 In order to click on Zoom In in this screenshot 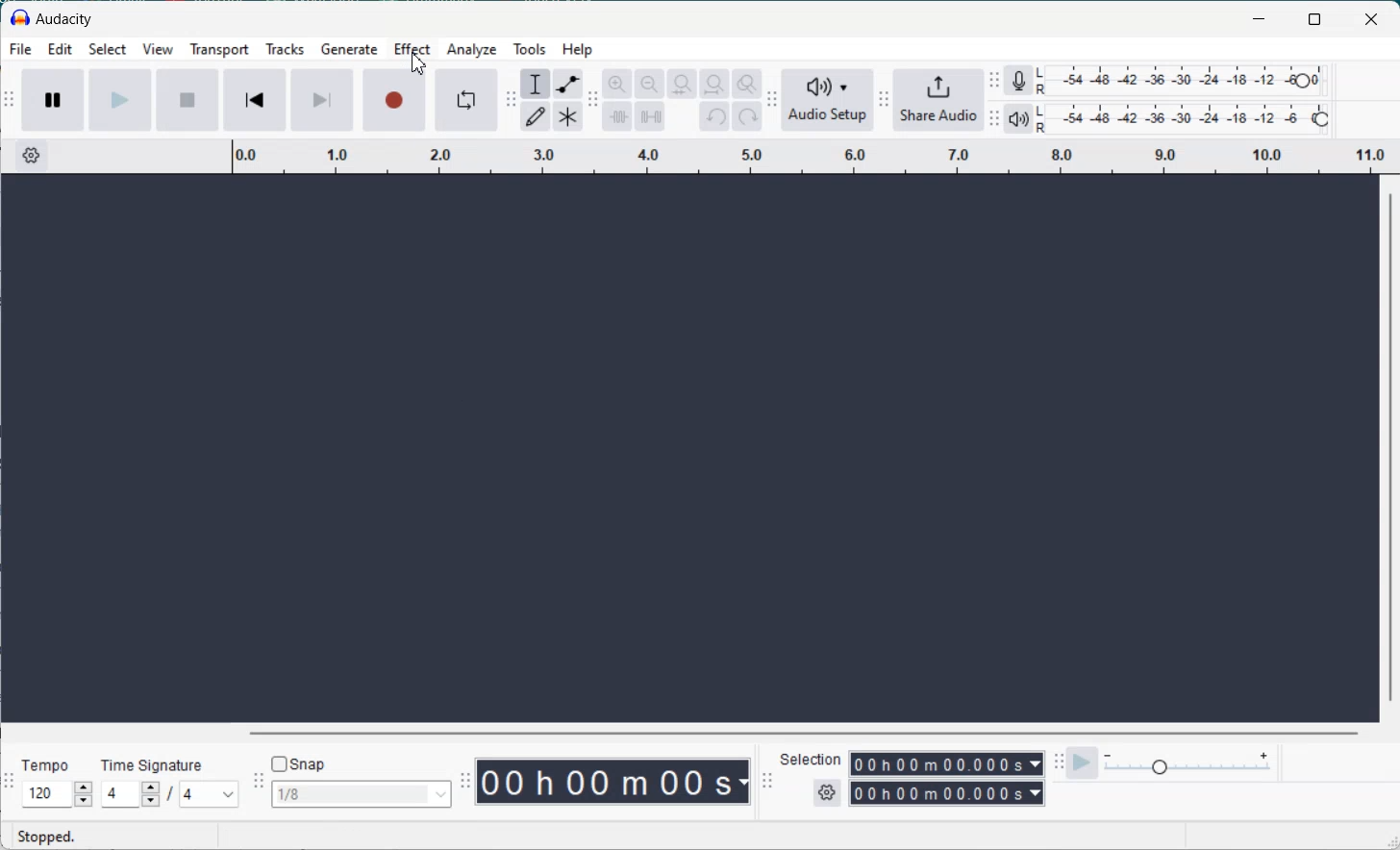, I will do `click(616, 84)`.